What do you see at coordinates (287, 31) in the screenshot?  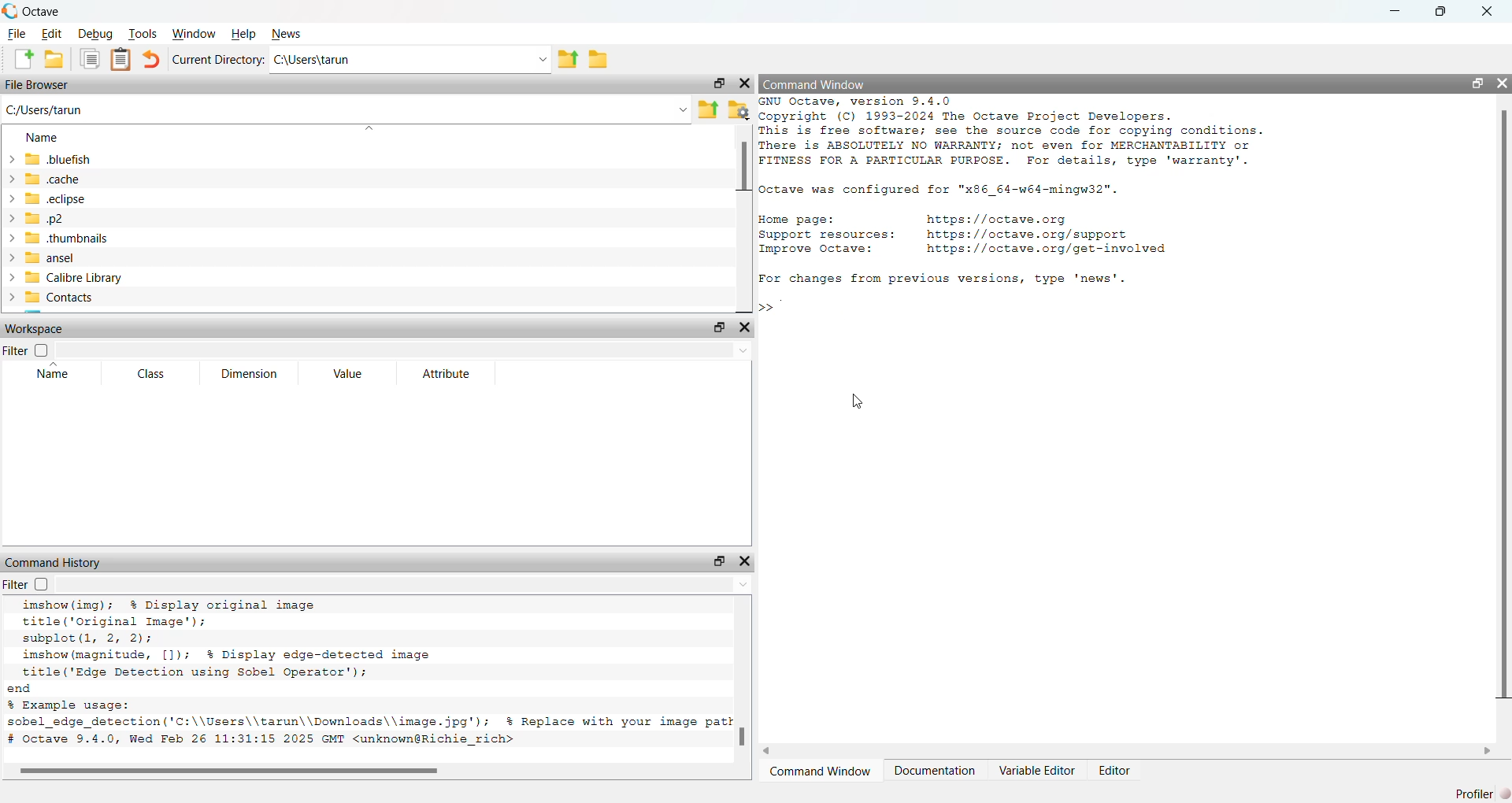 I see `News` at bounding box center [287, 31].